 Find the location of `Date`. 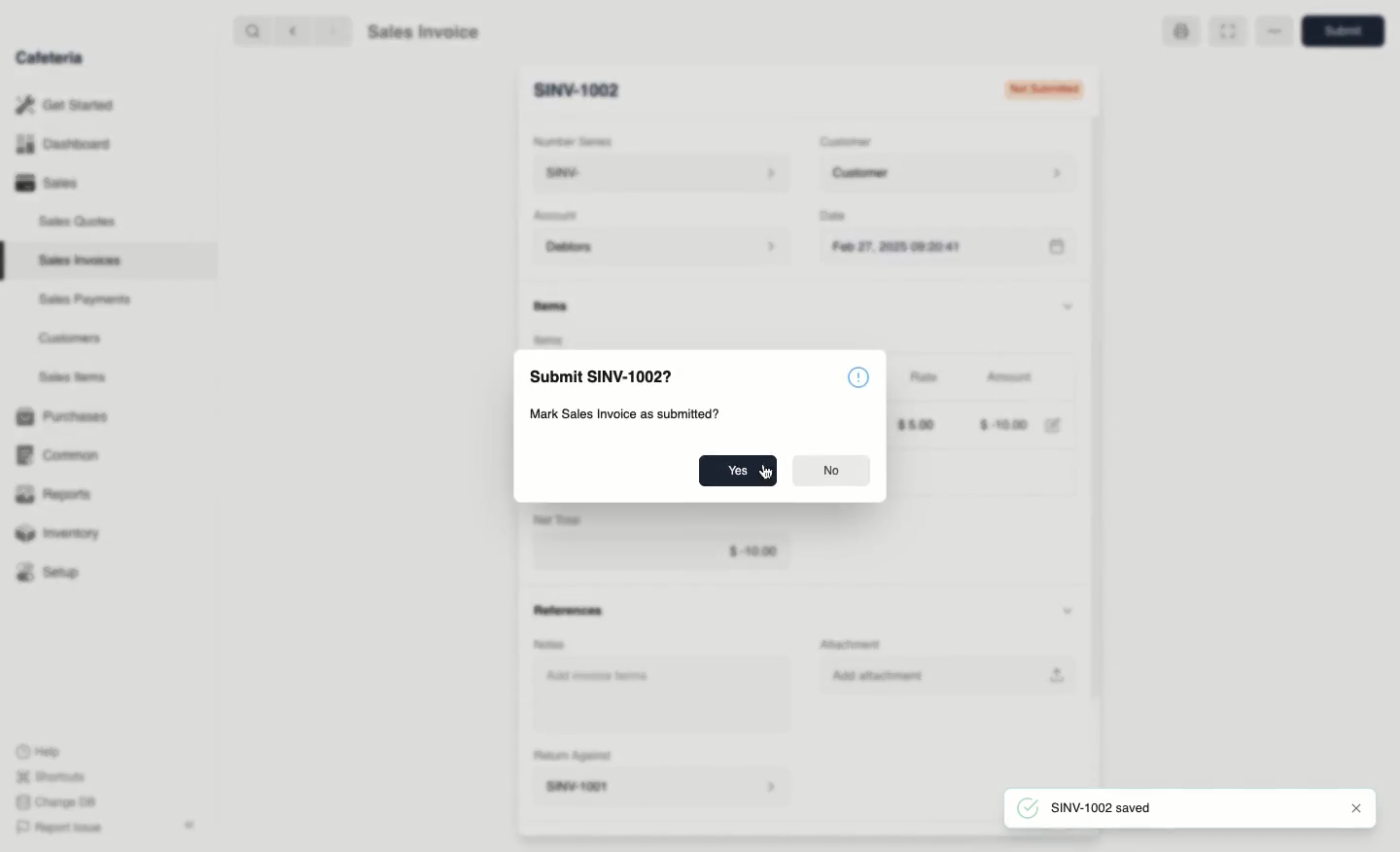

Date is located at coordinates (839, 216).